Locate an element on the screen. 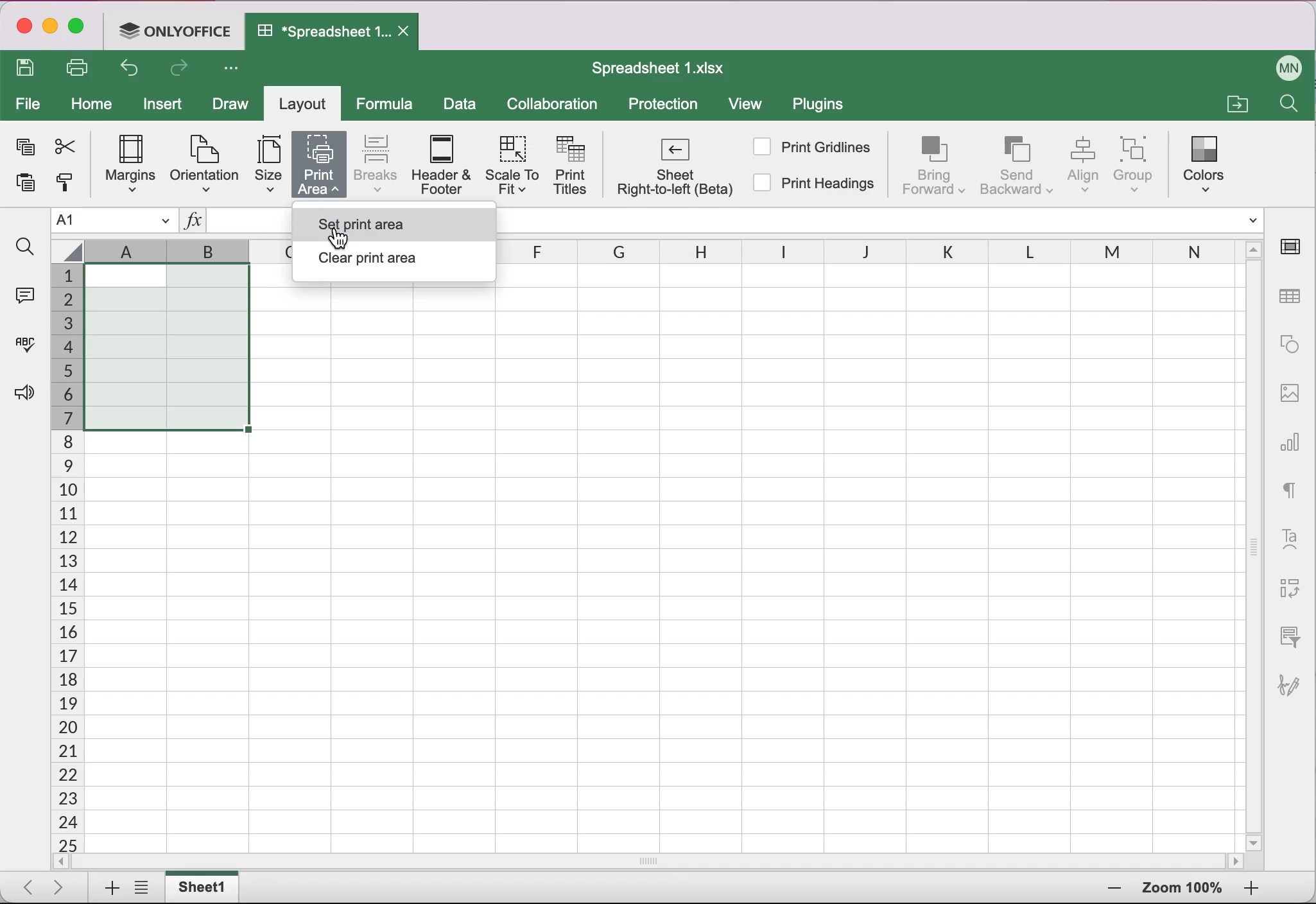 The image size is (1316, 904). save is located at coordinates (29, 69).